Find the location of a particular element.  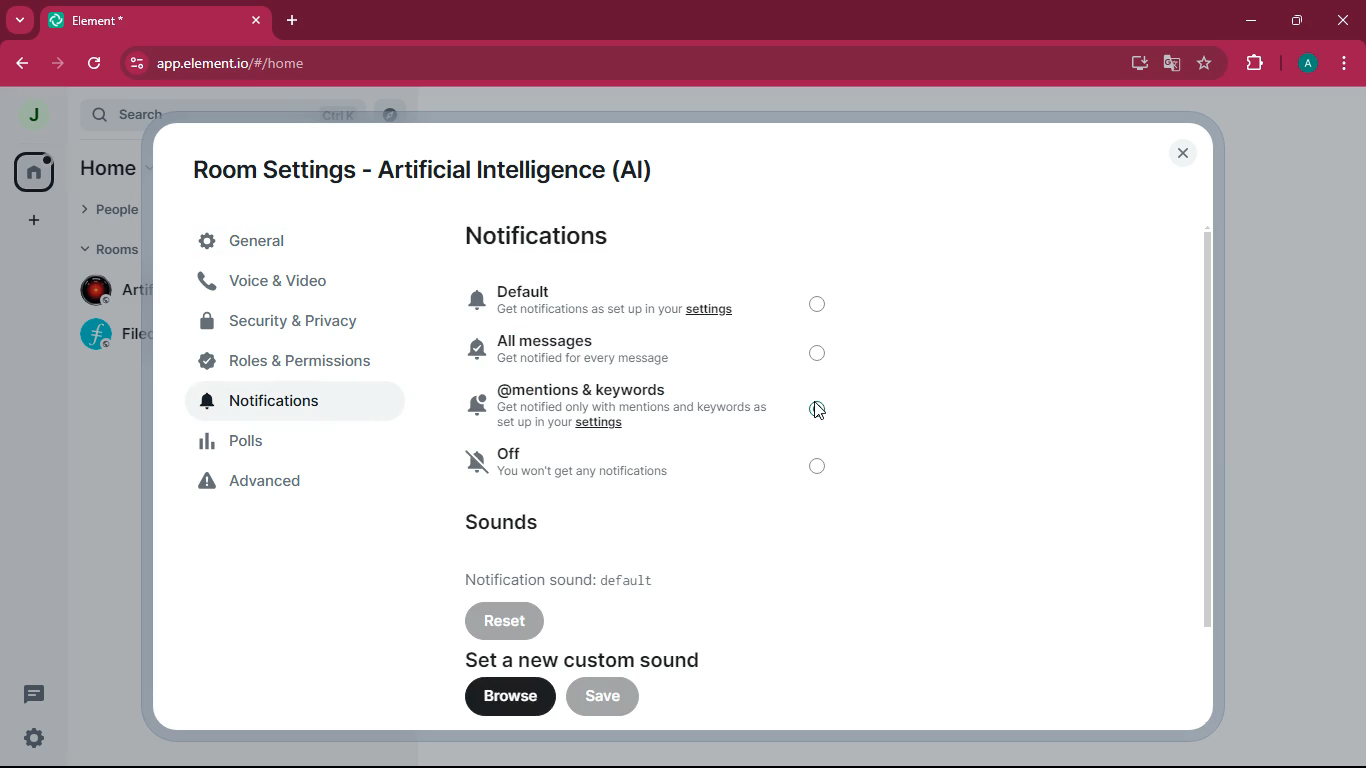

reset is located at coordinates (506, 620).